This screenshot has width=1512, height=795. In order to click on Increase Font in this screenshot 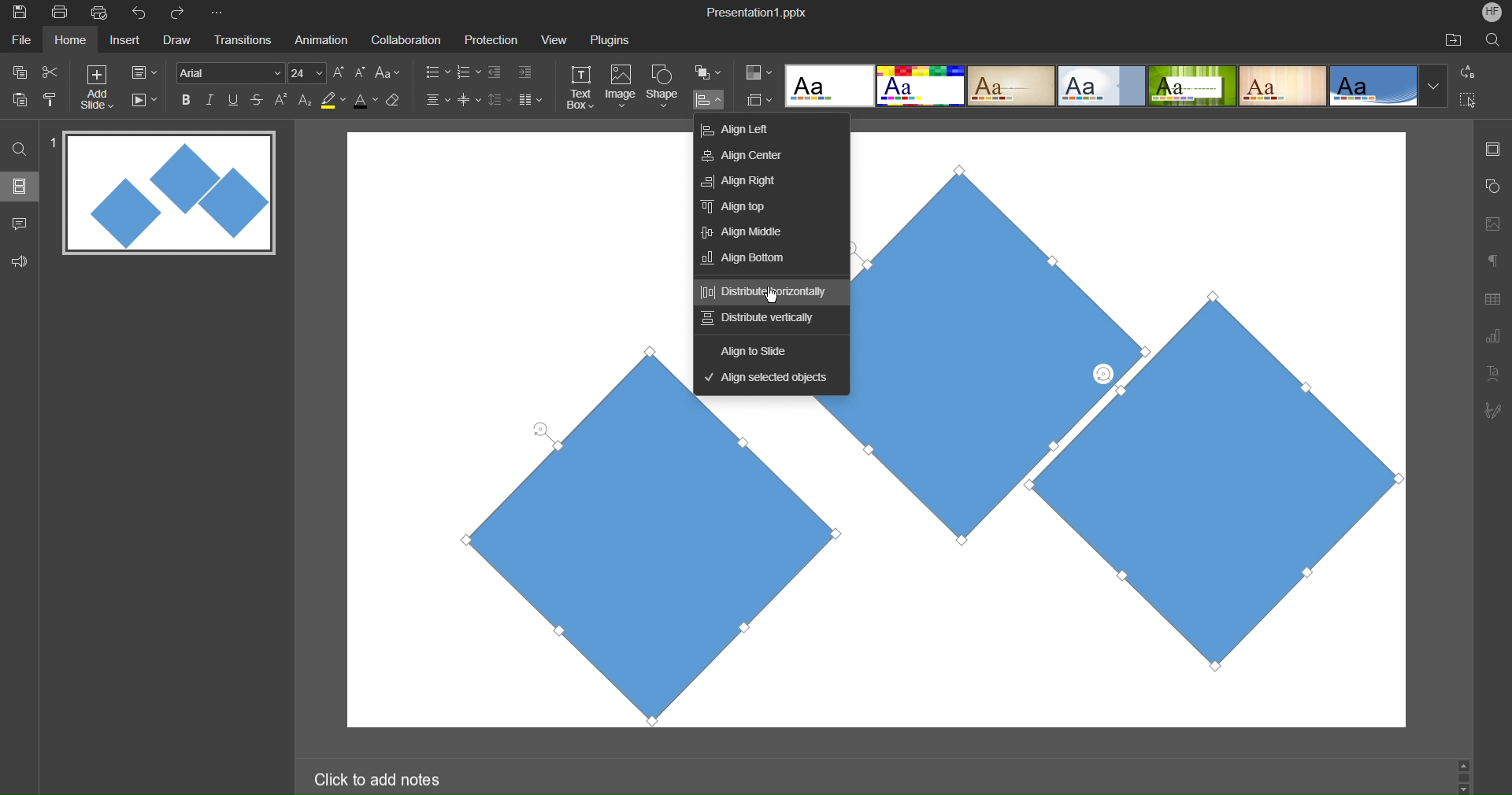, I will do `click(339, 72)`.